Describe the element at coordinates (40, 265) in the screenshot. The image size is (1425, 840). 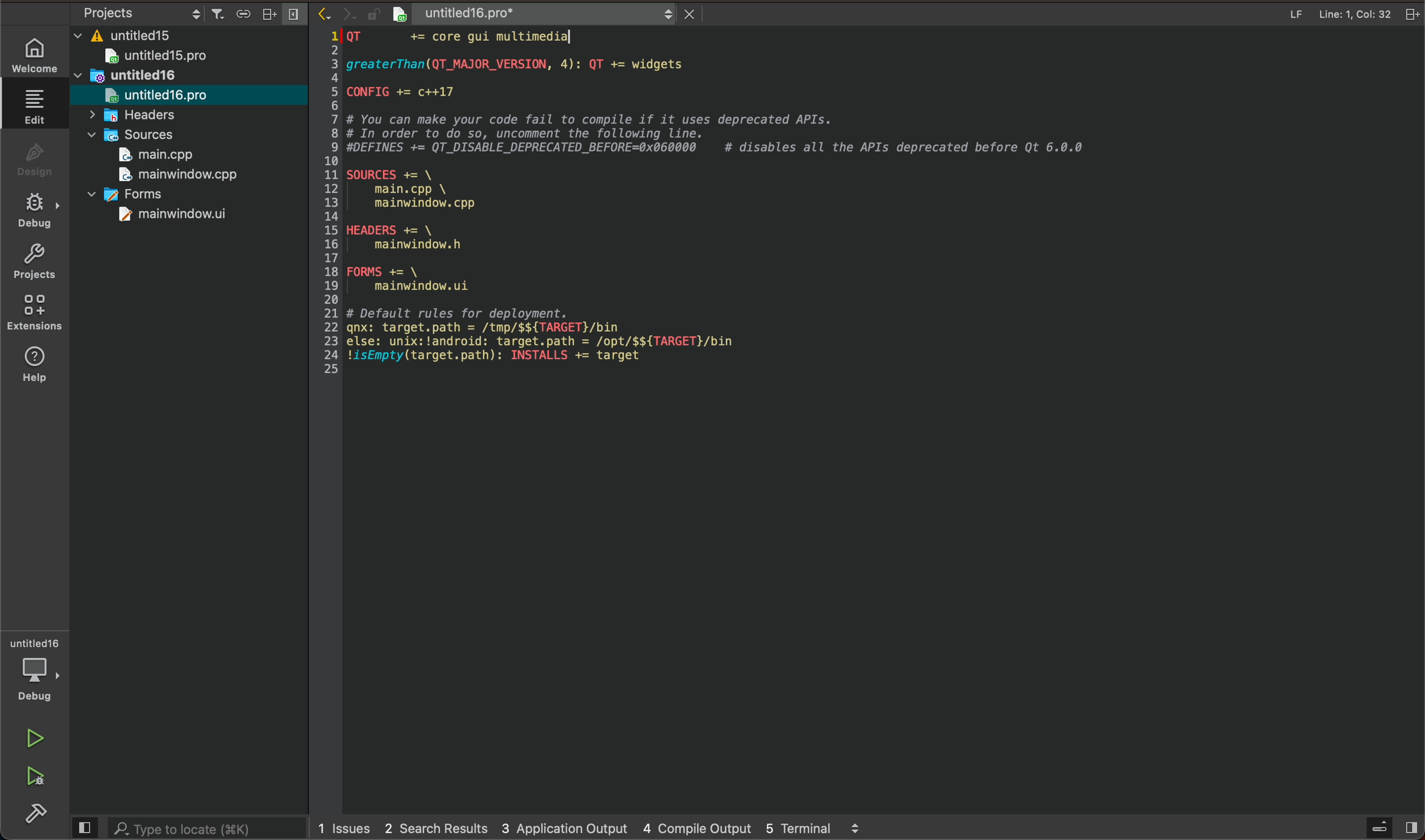
I see `projects` at that location.